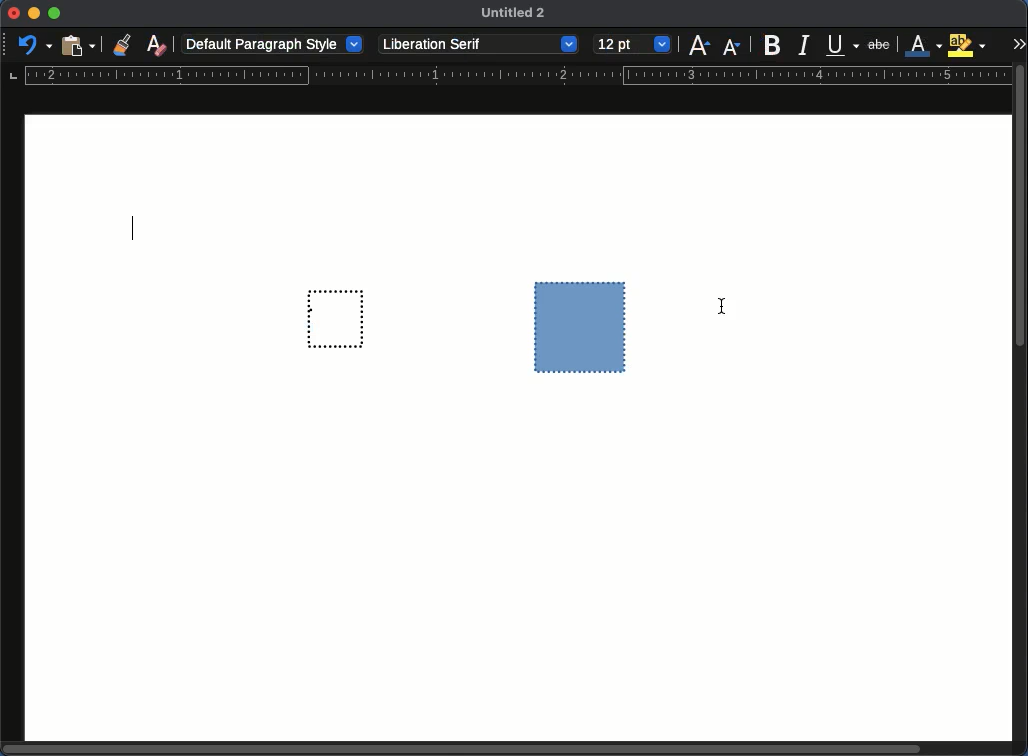  Describe the element at coordinates (158, 44) in the screenshot. I see `clear formatting` at that location.